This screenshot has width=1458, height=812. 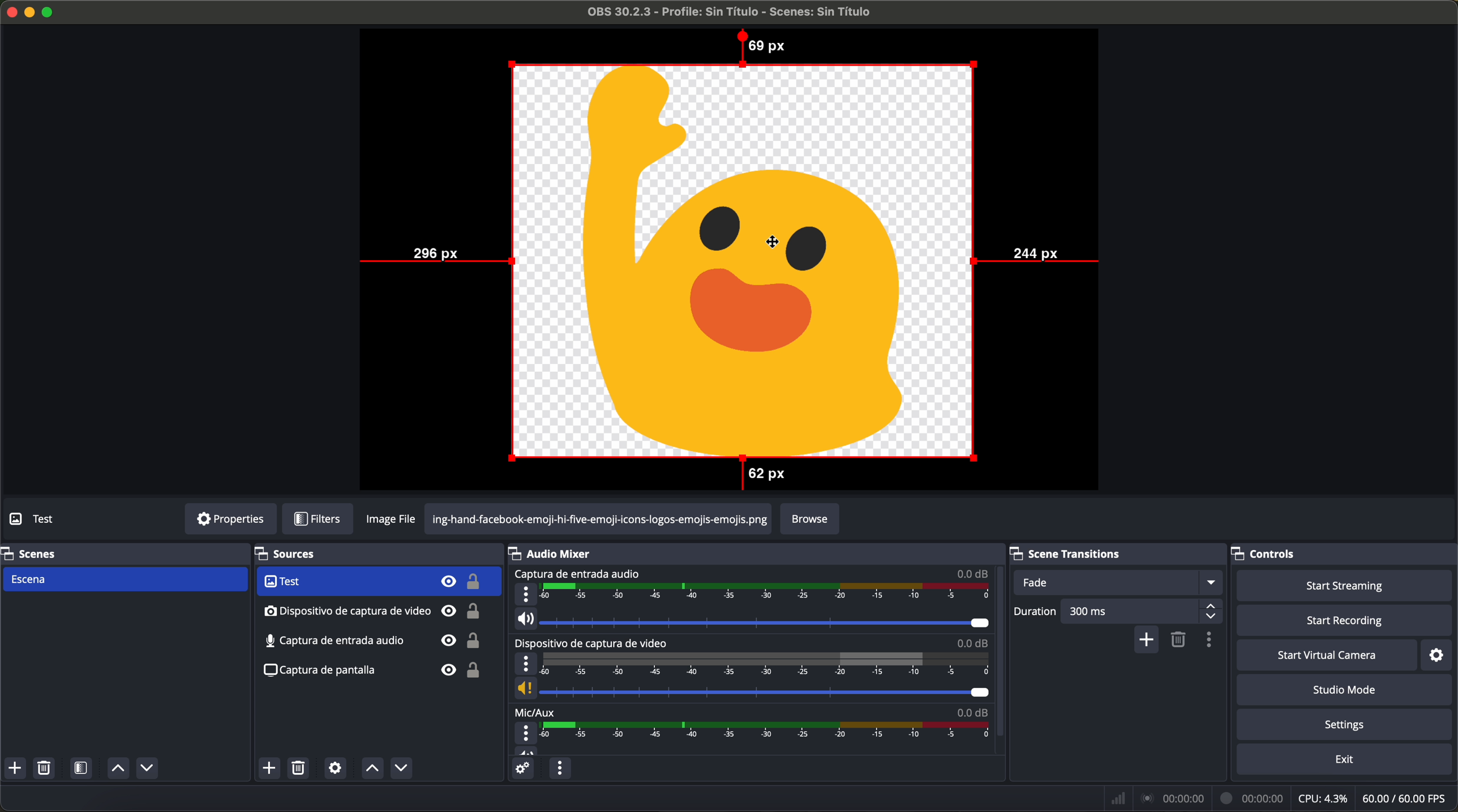 I want to click on add configurable transition, so click(x=1147, y=641).